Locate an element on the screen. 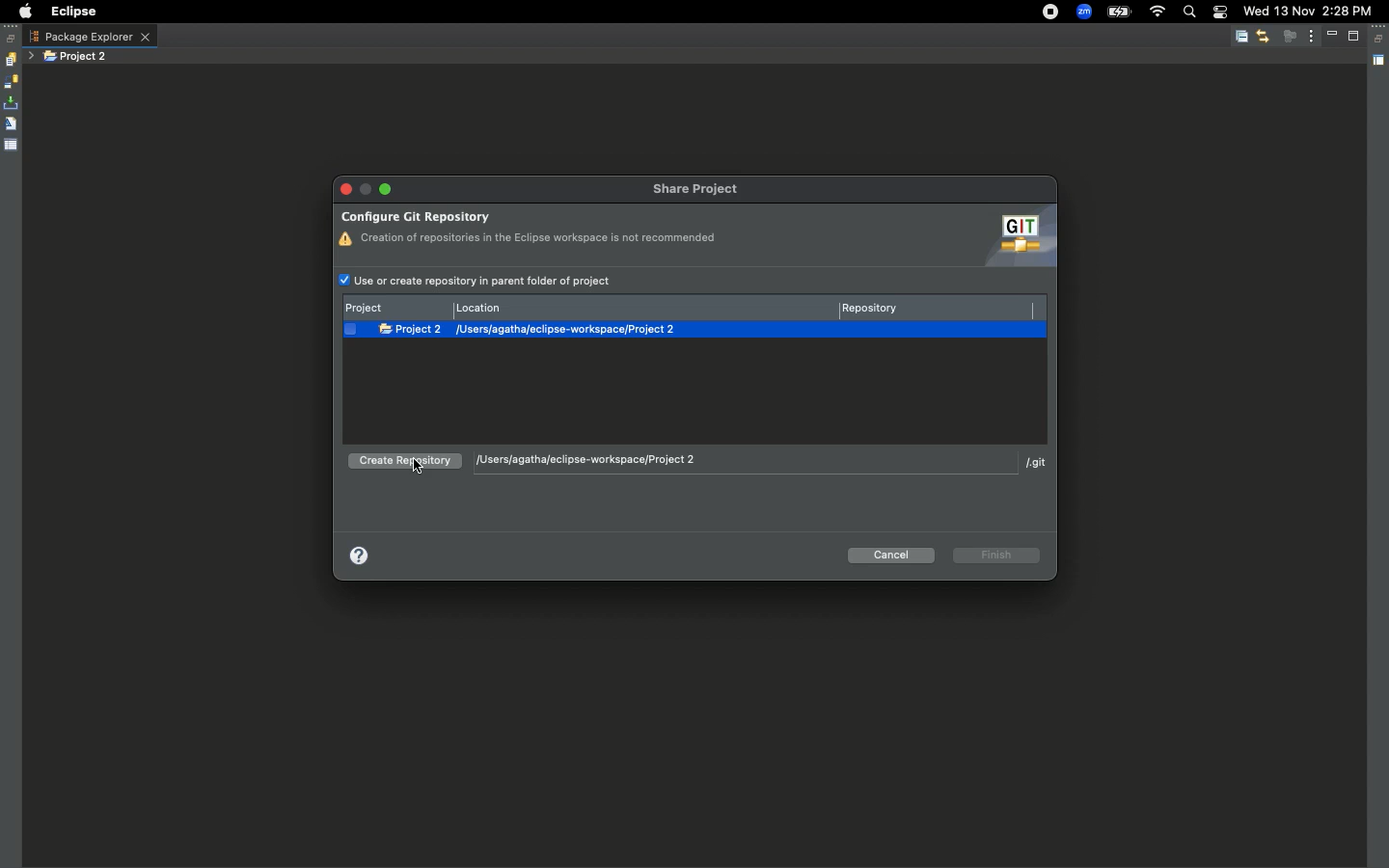  Internet is located at coordinates (1157, 13).